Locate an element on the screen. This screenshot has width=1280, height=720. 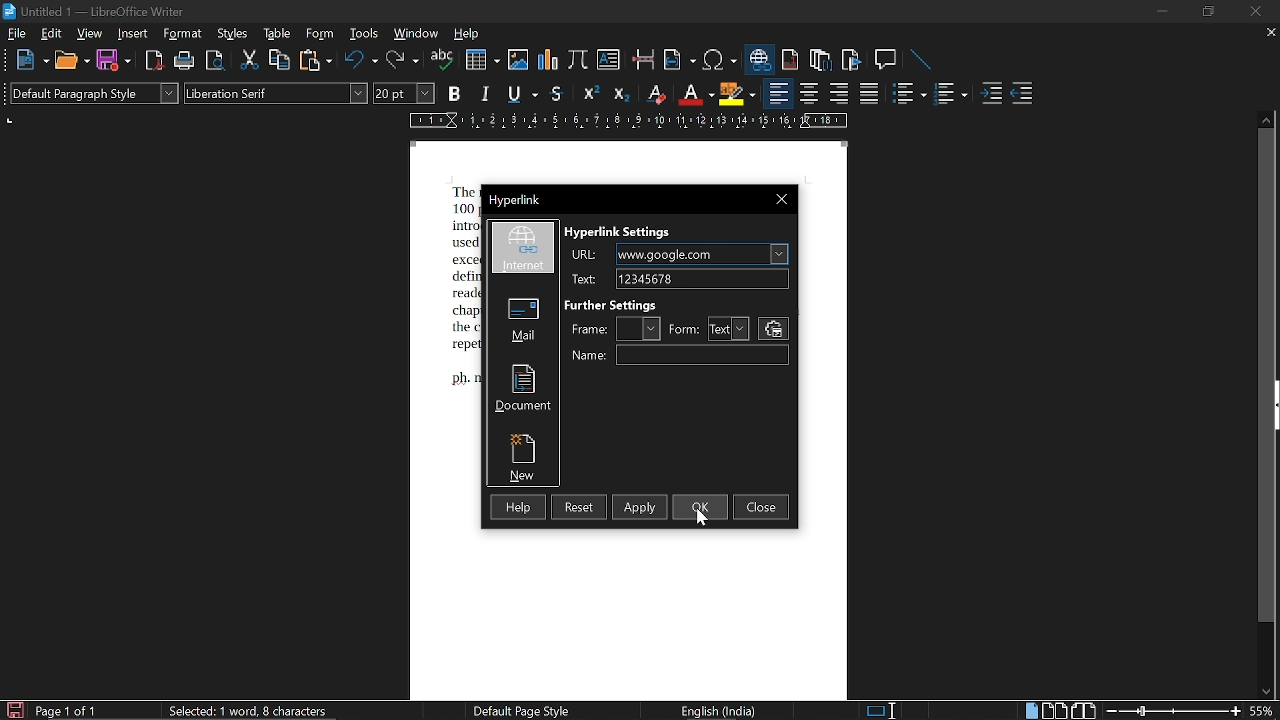
format is located at coordinates (180, 35).